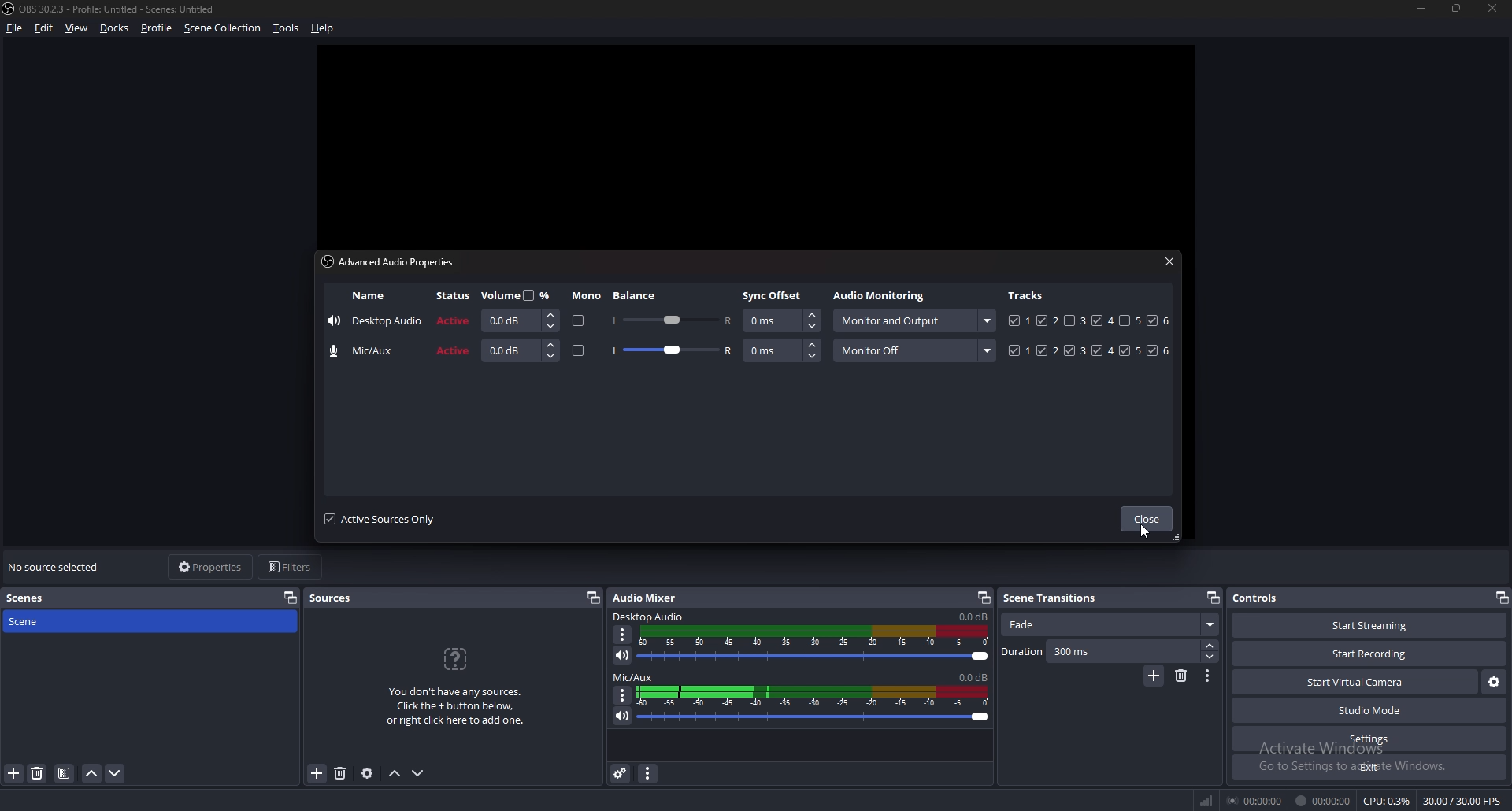 This screenshot has width=1512, height=811. Describe the element at coordinates (517, 320) in the screenshot. I see `volume input` at that location.